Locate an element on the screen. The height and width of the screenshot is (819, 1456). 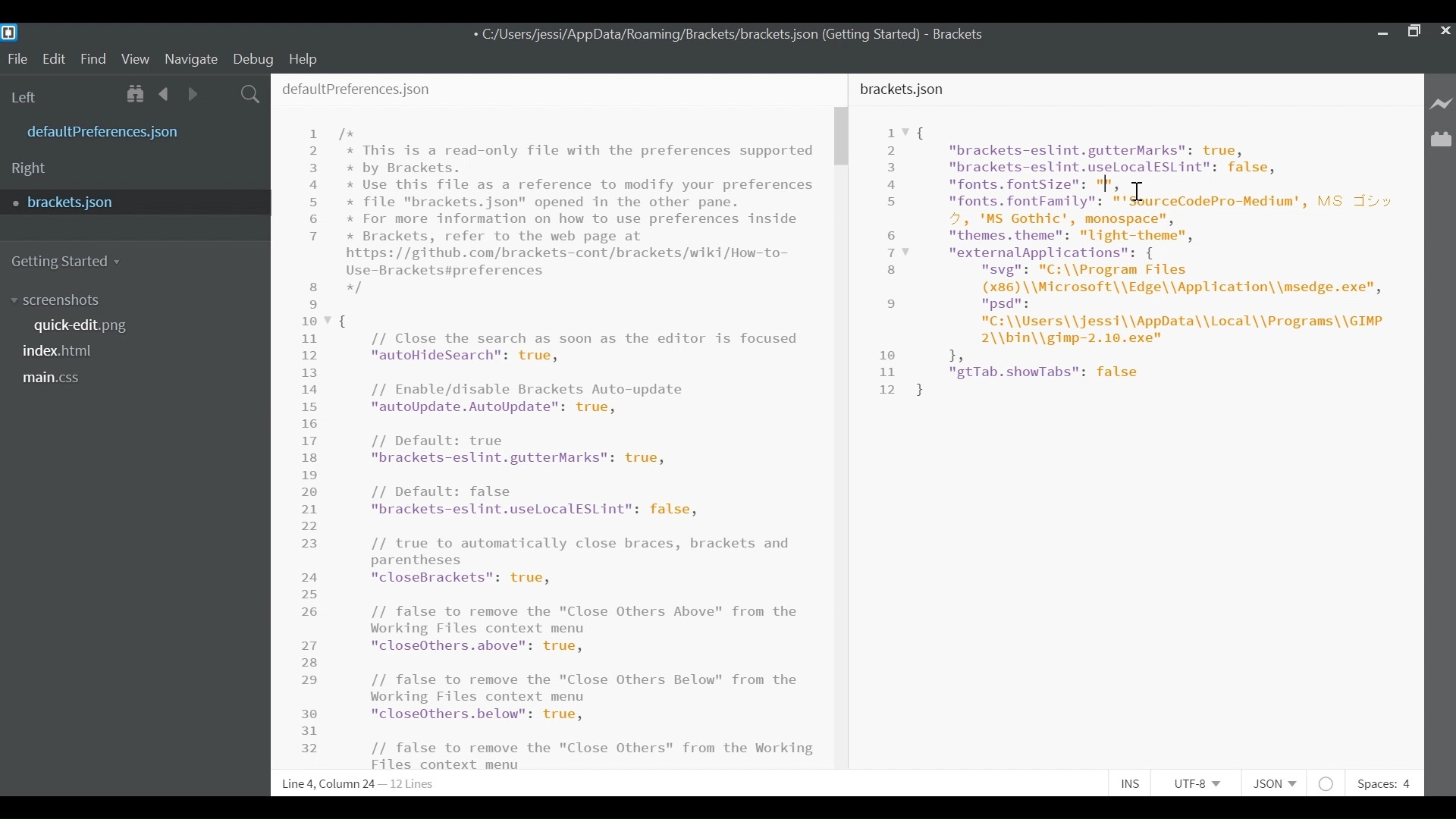
C:/Users/jessi/AppData/Roaming/Brackets/brackets. json (Getting Started) - Brackets is located at coordinates (743, 36).